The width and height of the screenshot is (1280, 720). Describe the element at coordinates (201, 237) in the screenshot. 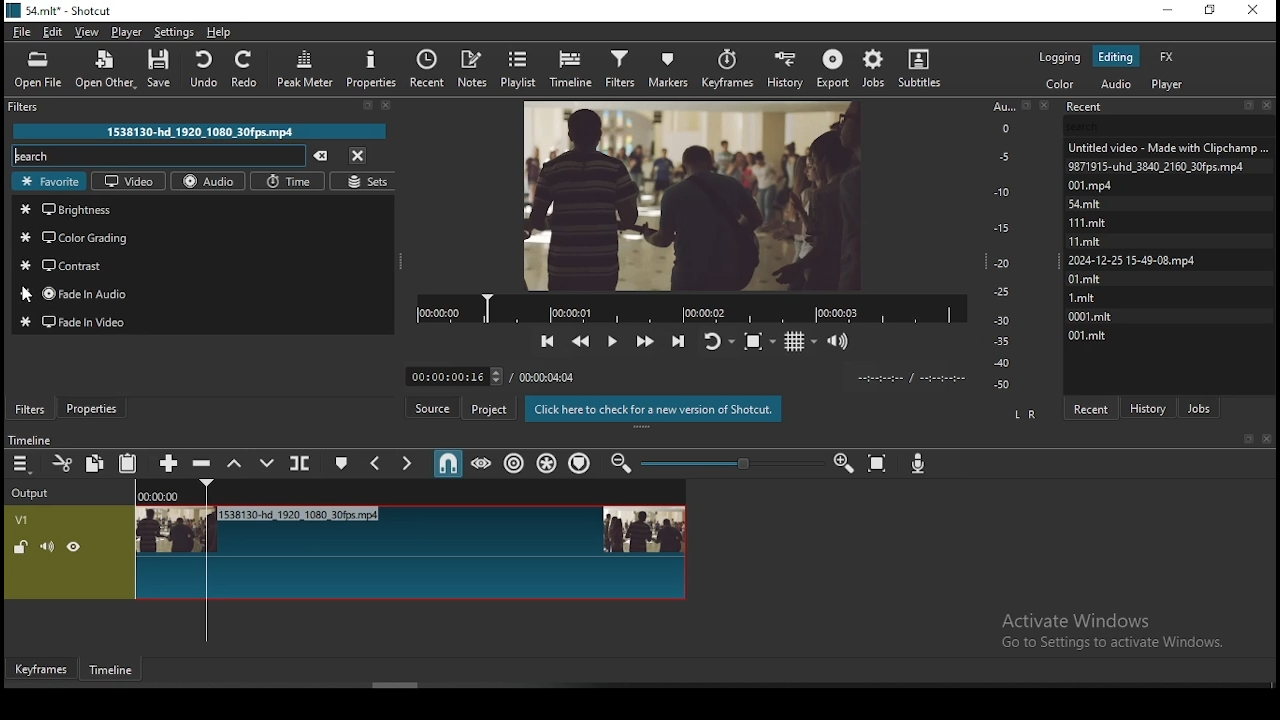

I see `color grading` at that location.